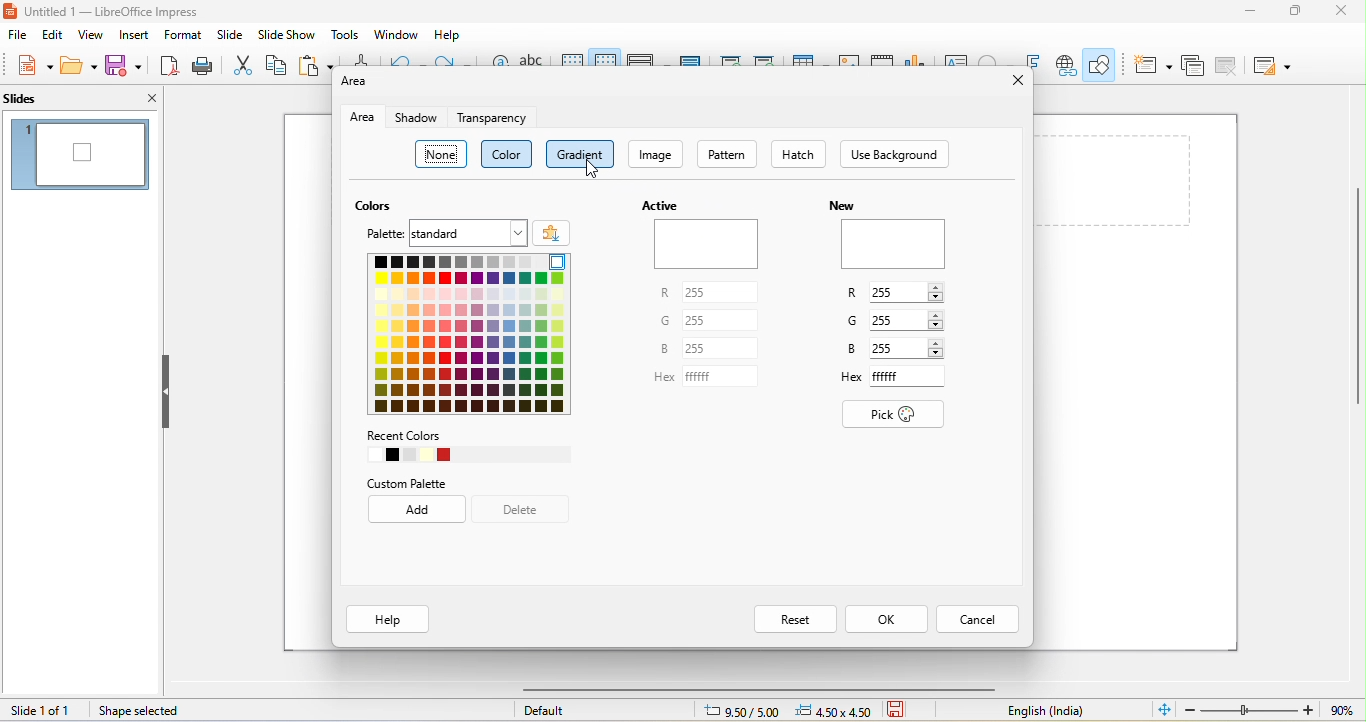  I want to click on open, so click(79, 63).